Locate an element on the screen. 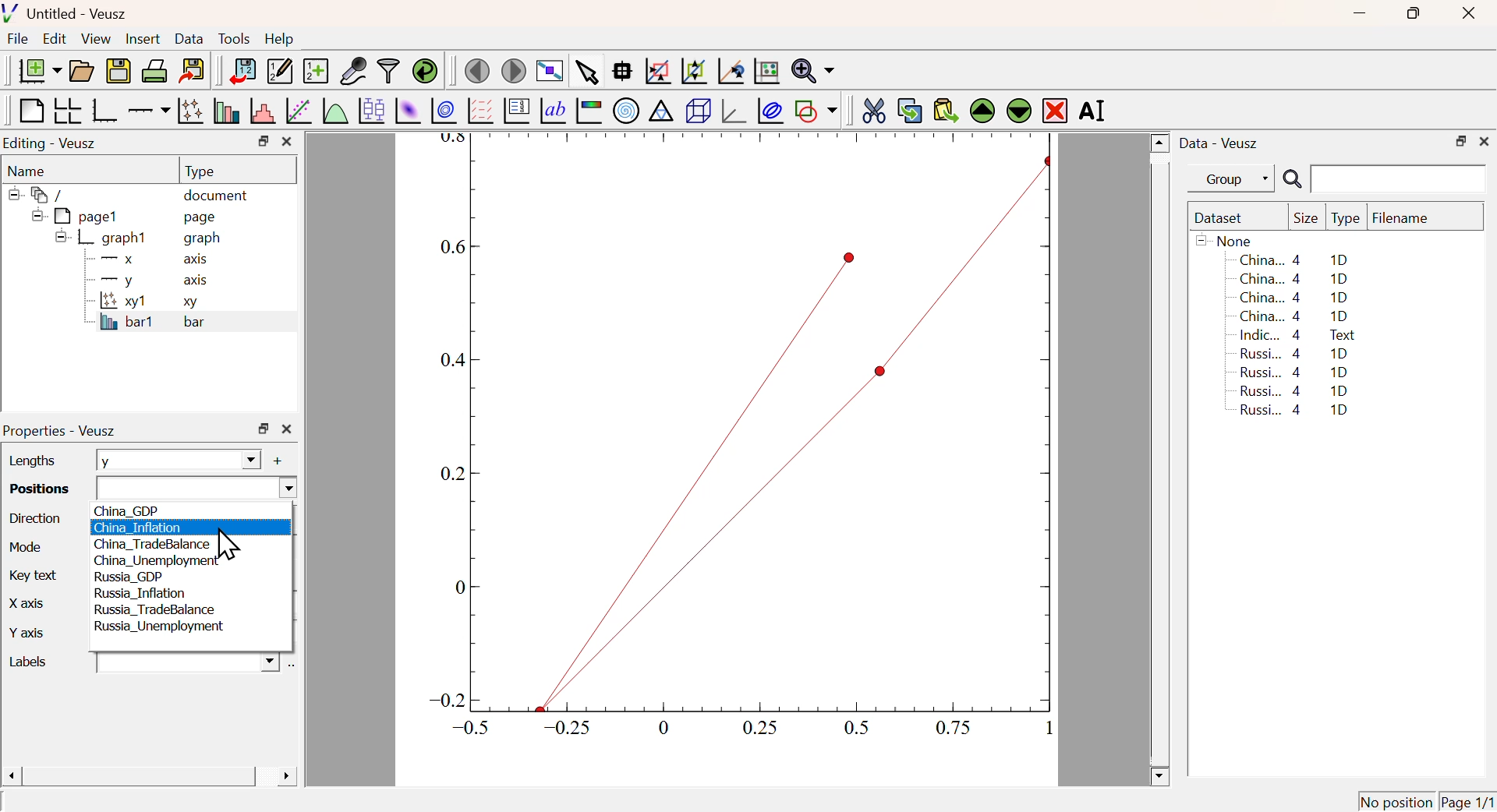 The image size is (1497, 812). X axis is located at coordinates (147, 259).